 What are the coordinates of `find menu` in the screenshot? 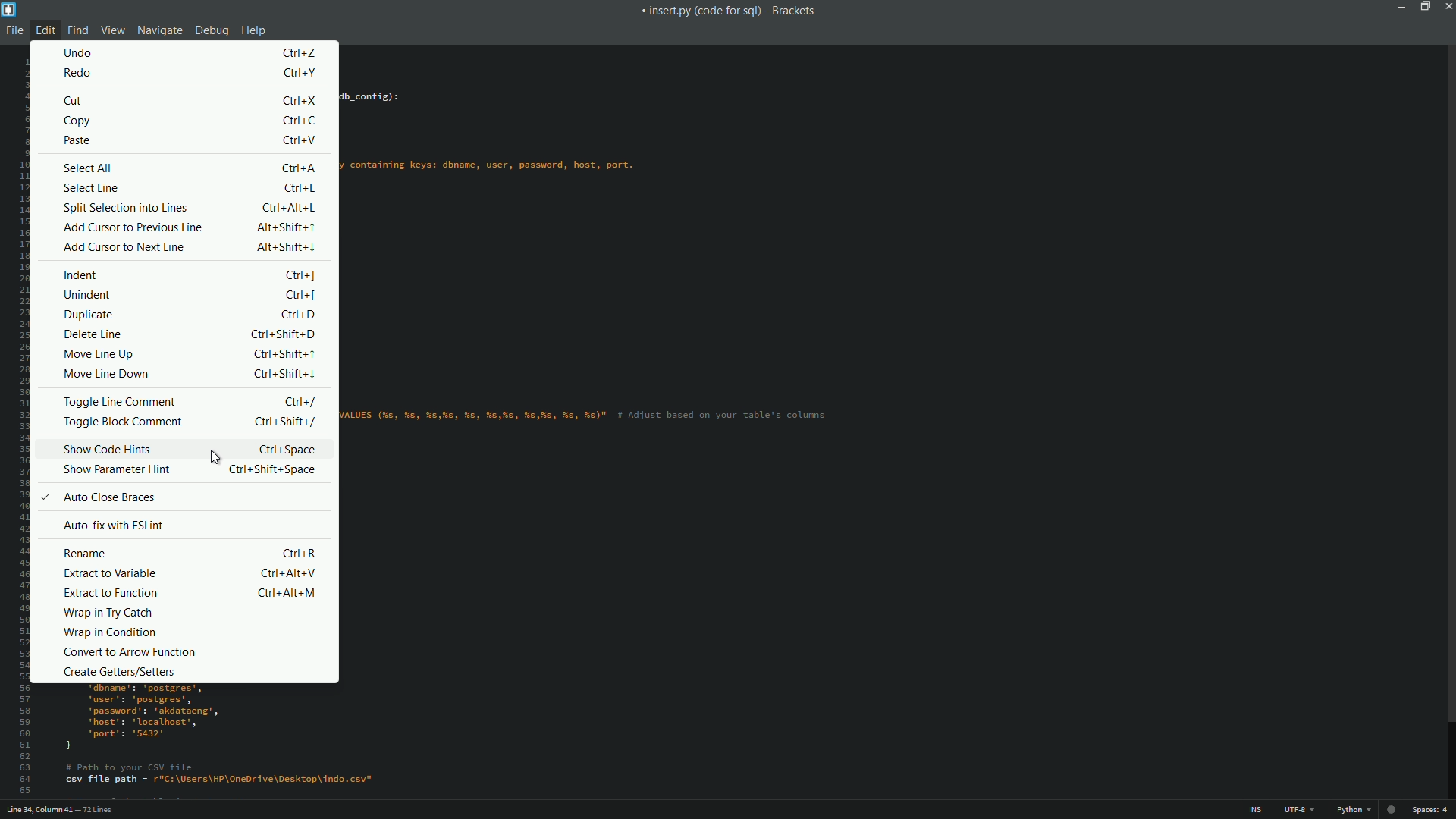 It's located at (78, 30).